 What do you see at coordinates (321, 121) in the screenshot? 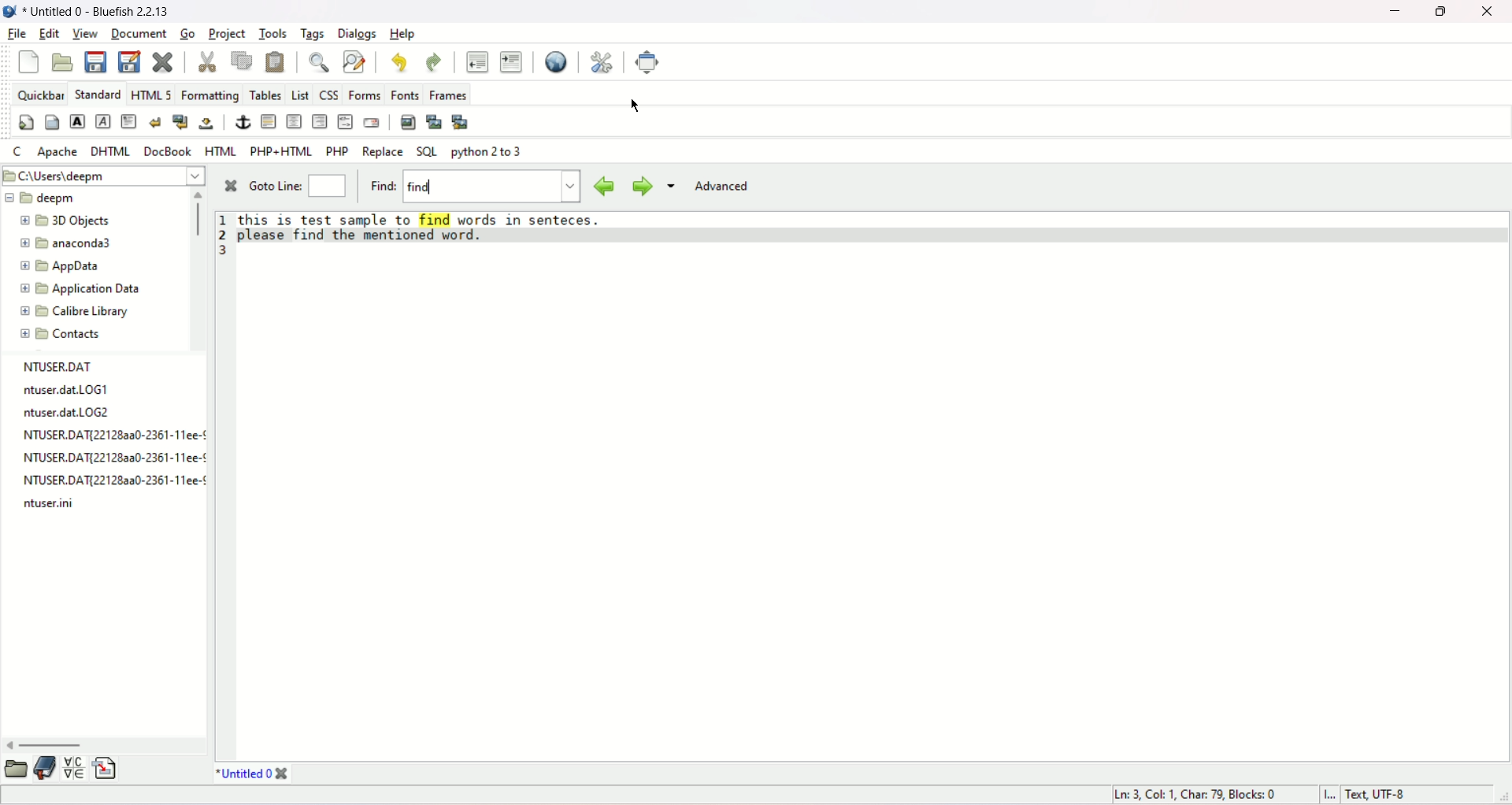
I see `right justify` at bounding box center [321, 121].